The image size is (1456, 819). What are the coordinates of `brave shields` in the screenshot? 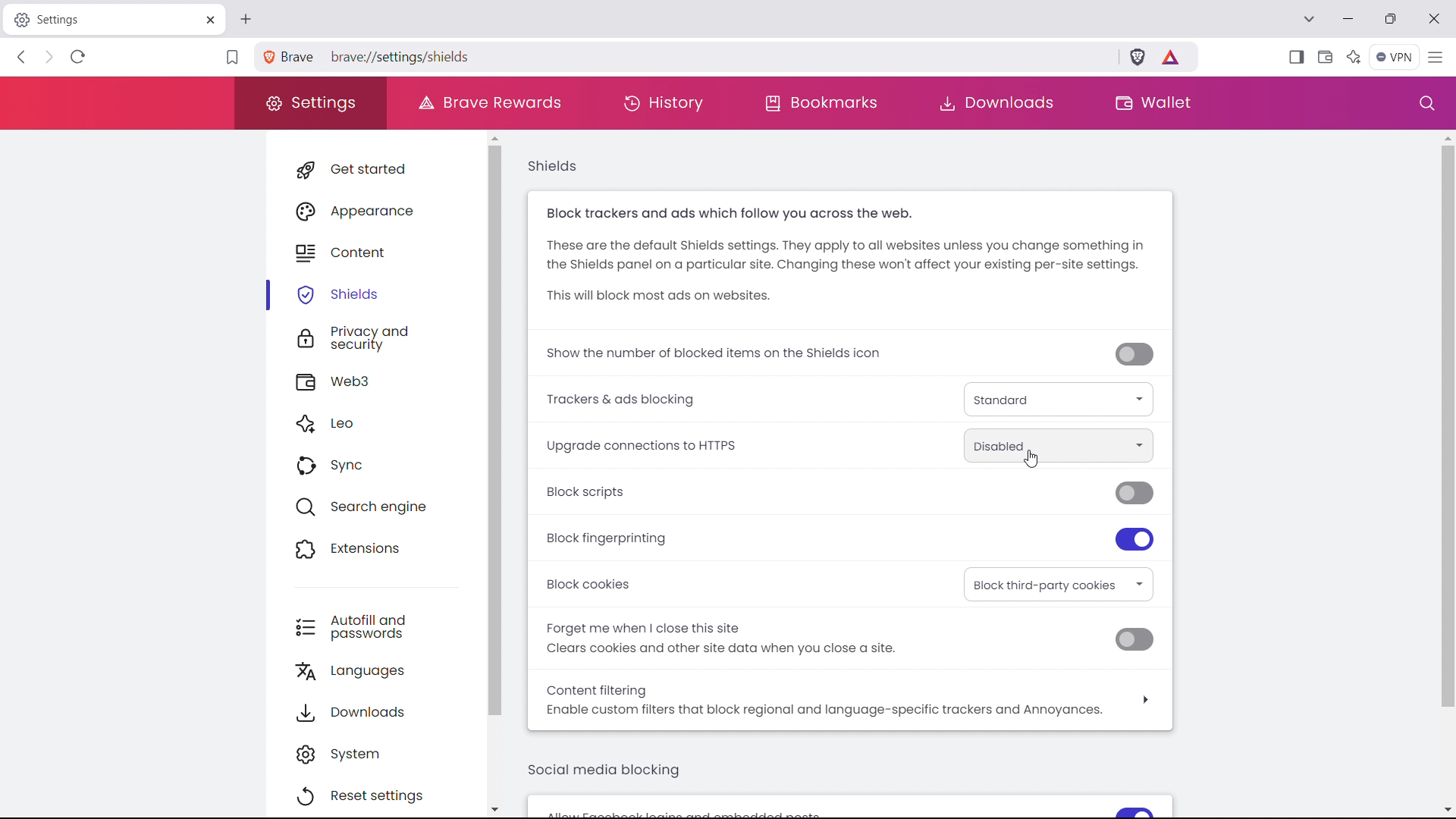 It's located at (1137, 56).